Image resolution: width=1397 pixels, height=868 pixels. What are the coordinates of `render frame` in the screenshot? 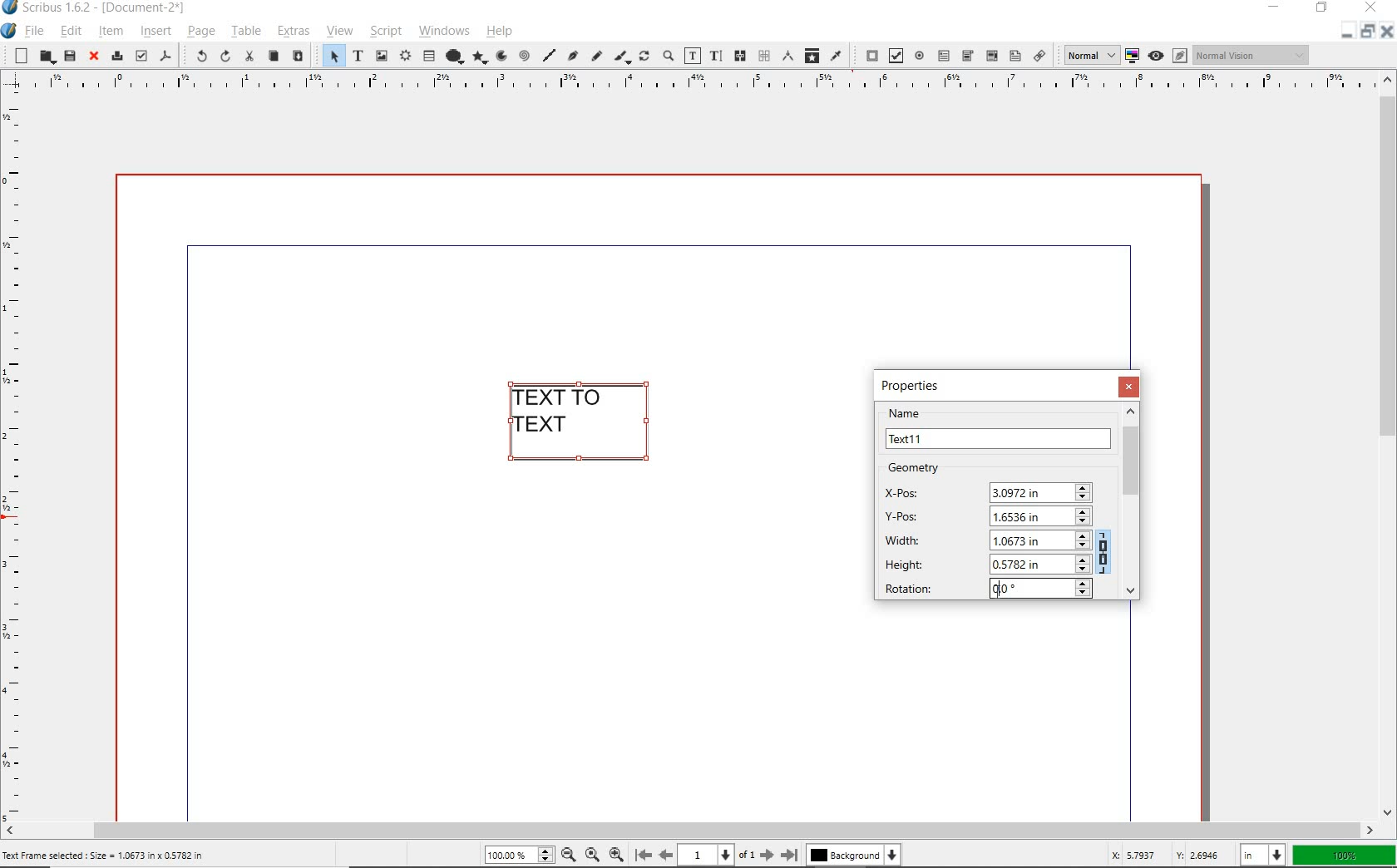 It's located at (405, 57).